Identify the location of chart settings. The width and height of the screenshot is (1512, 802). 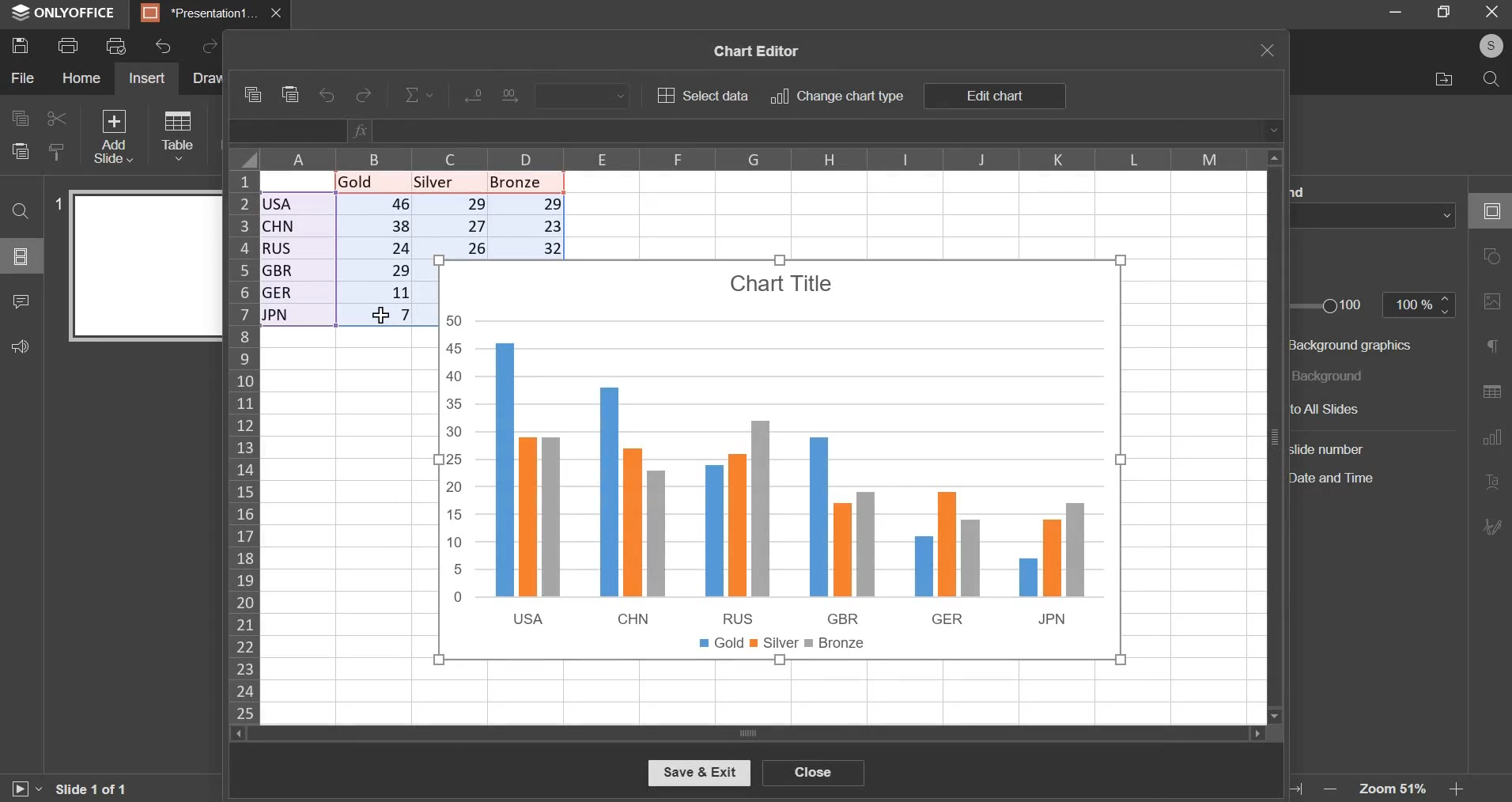
(1491, 442).